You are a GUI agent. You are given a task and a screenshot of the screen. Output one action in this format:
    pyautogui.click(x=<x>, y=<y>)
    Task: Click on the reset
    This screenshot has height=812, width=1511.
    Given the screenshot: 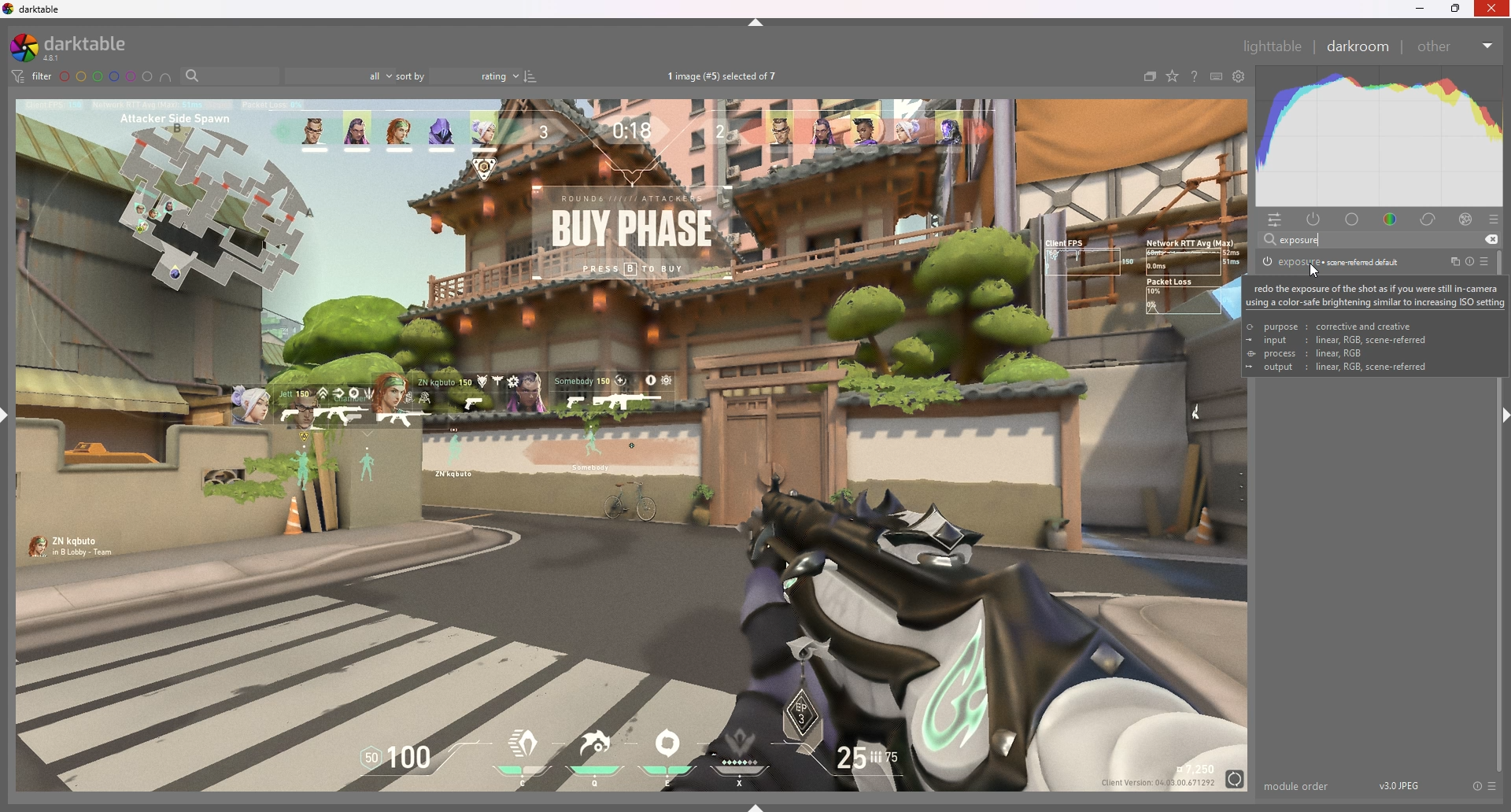 What is the action you would take?
    pyautogui.click(x=1476, y=787)
    